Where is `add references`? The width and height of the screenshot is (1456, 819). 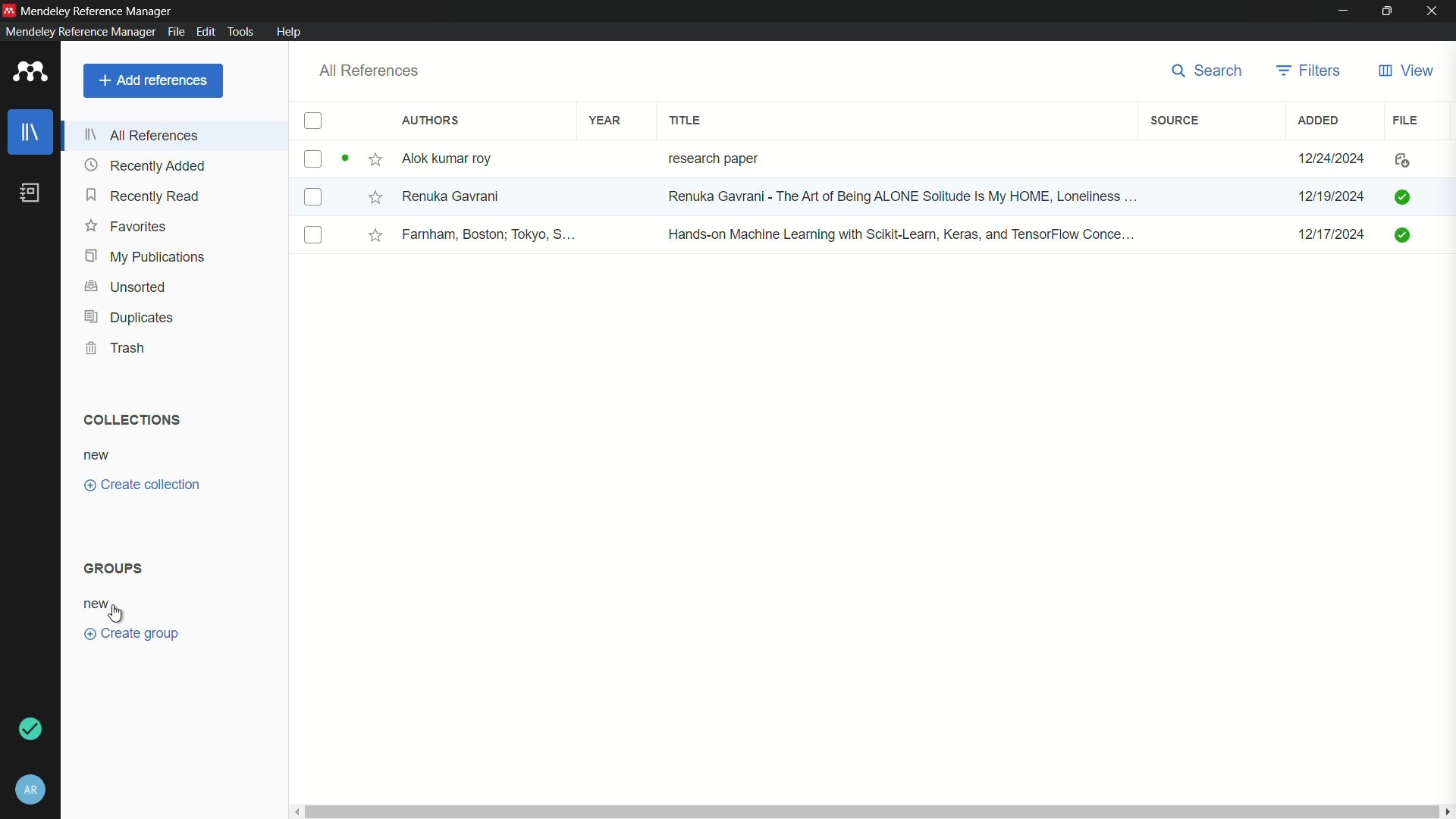 add references is located at coordinates (153, 80).